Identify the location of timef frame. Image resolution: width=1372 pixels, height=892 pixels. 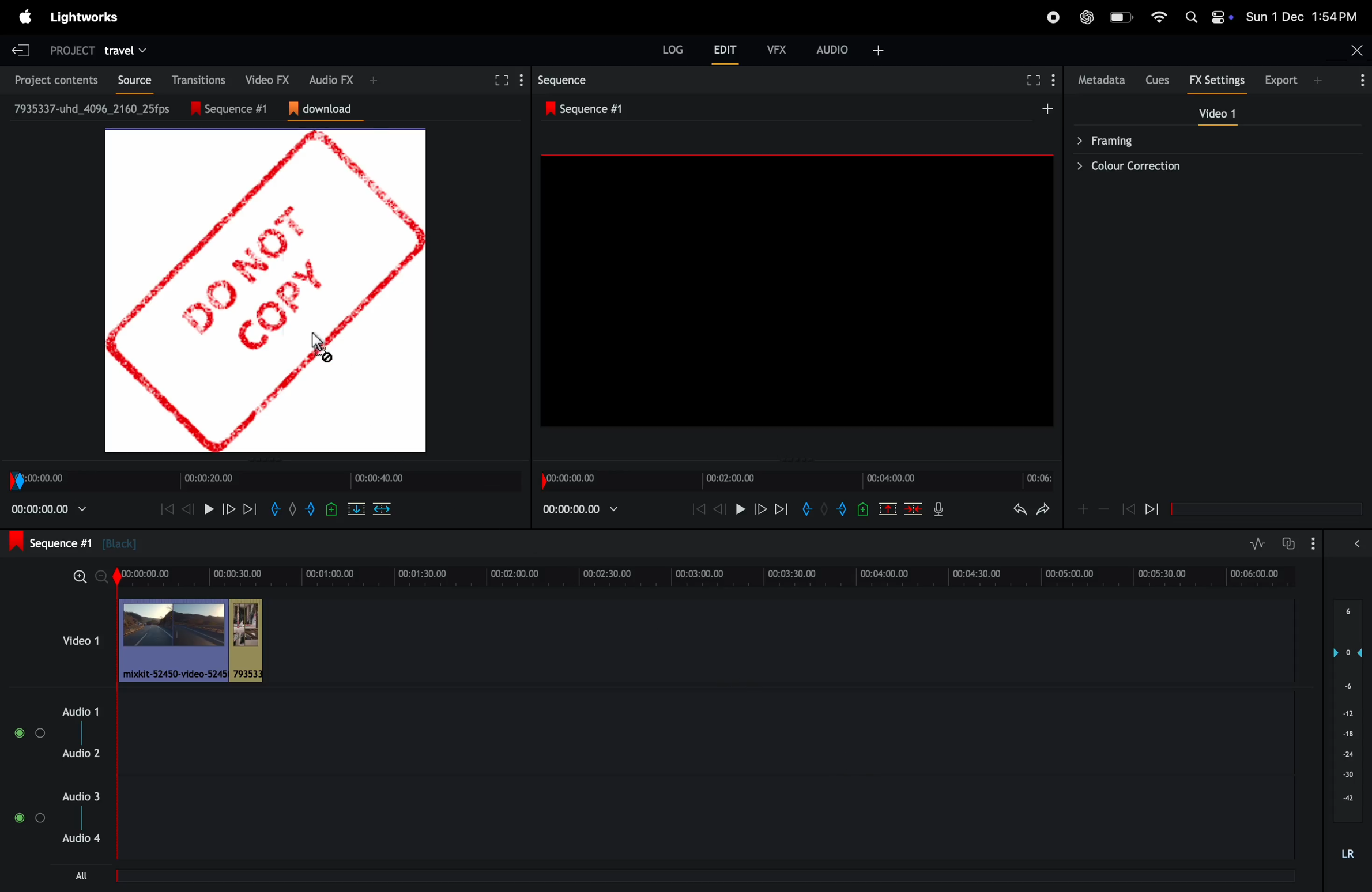
(710, 577).